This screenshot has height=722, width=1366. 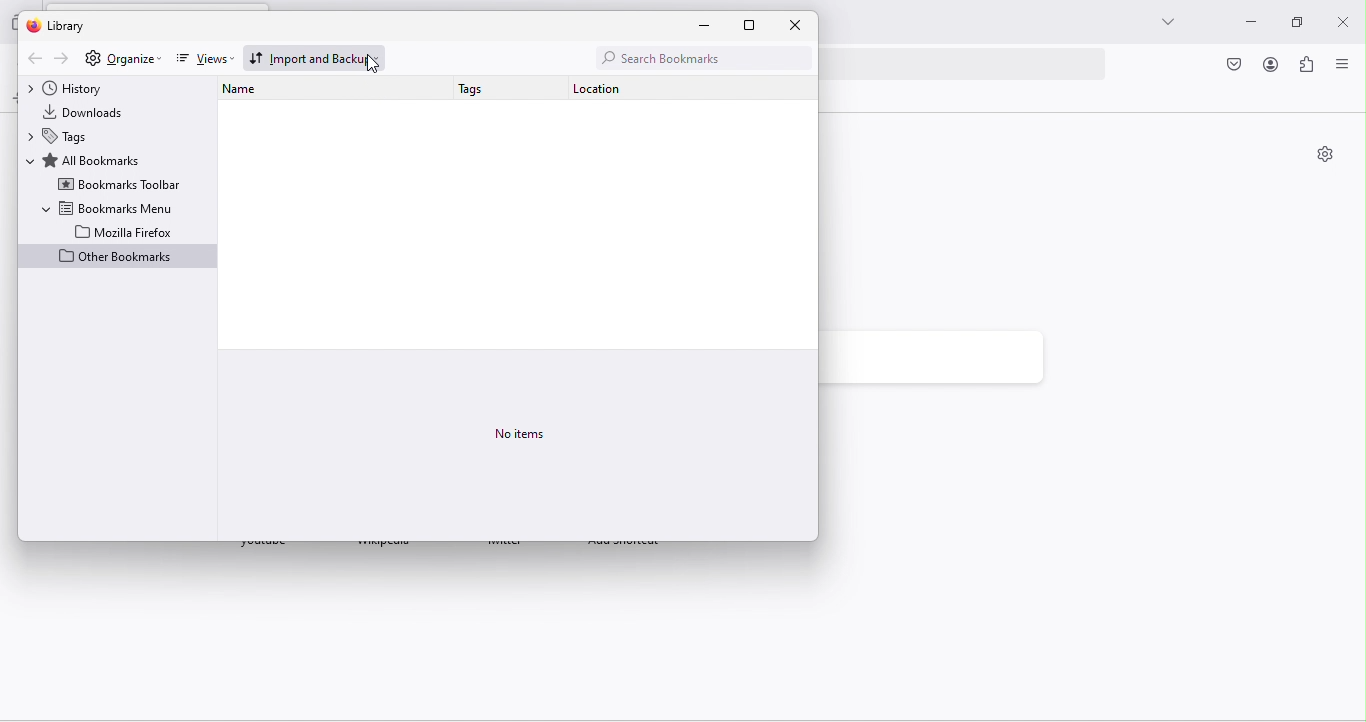 I want to click on maximize, so click(x=759, y=25).